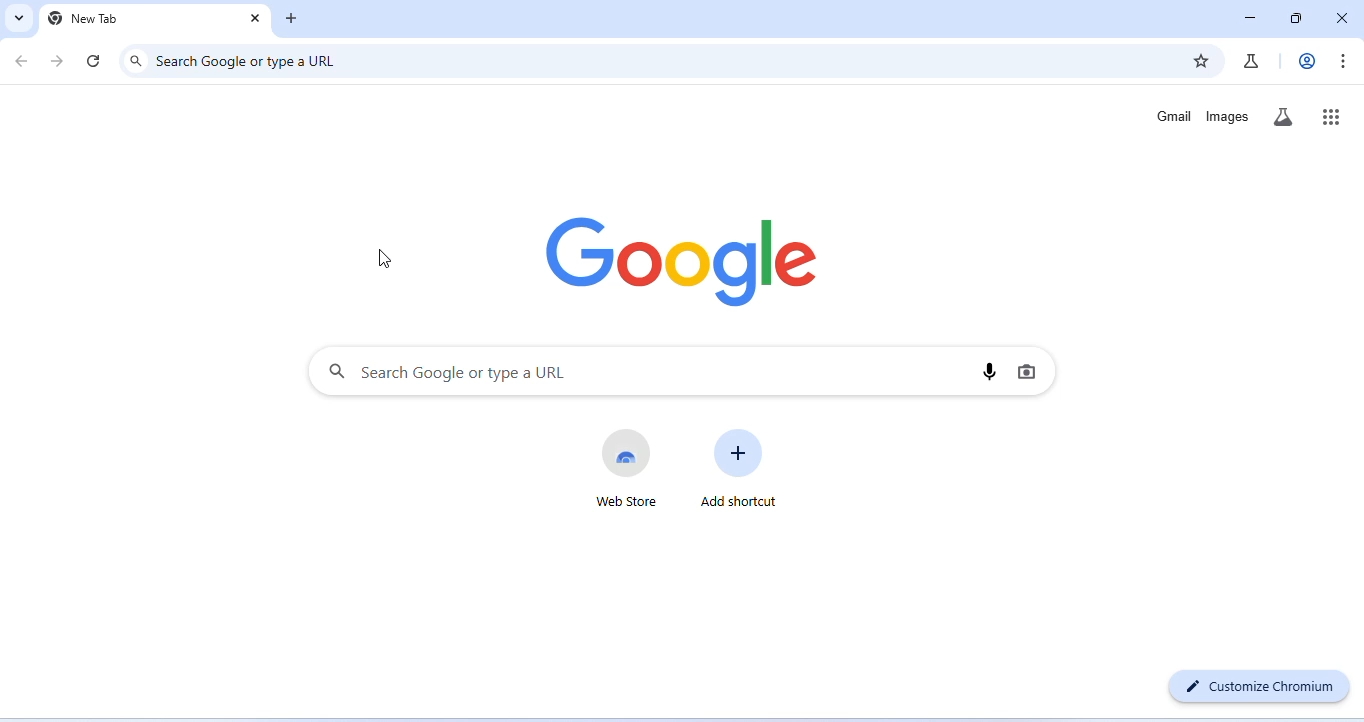 The height and width of the screenshot is (722, 1364). What do you see at coordinates (60, 60) in the screenshot?
I see `go forward` at bounding box center [60, 60].